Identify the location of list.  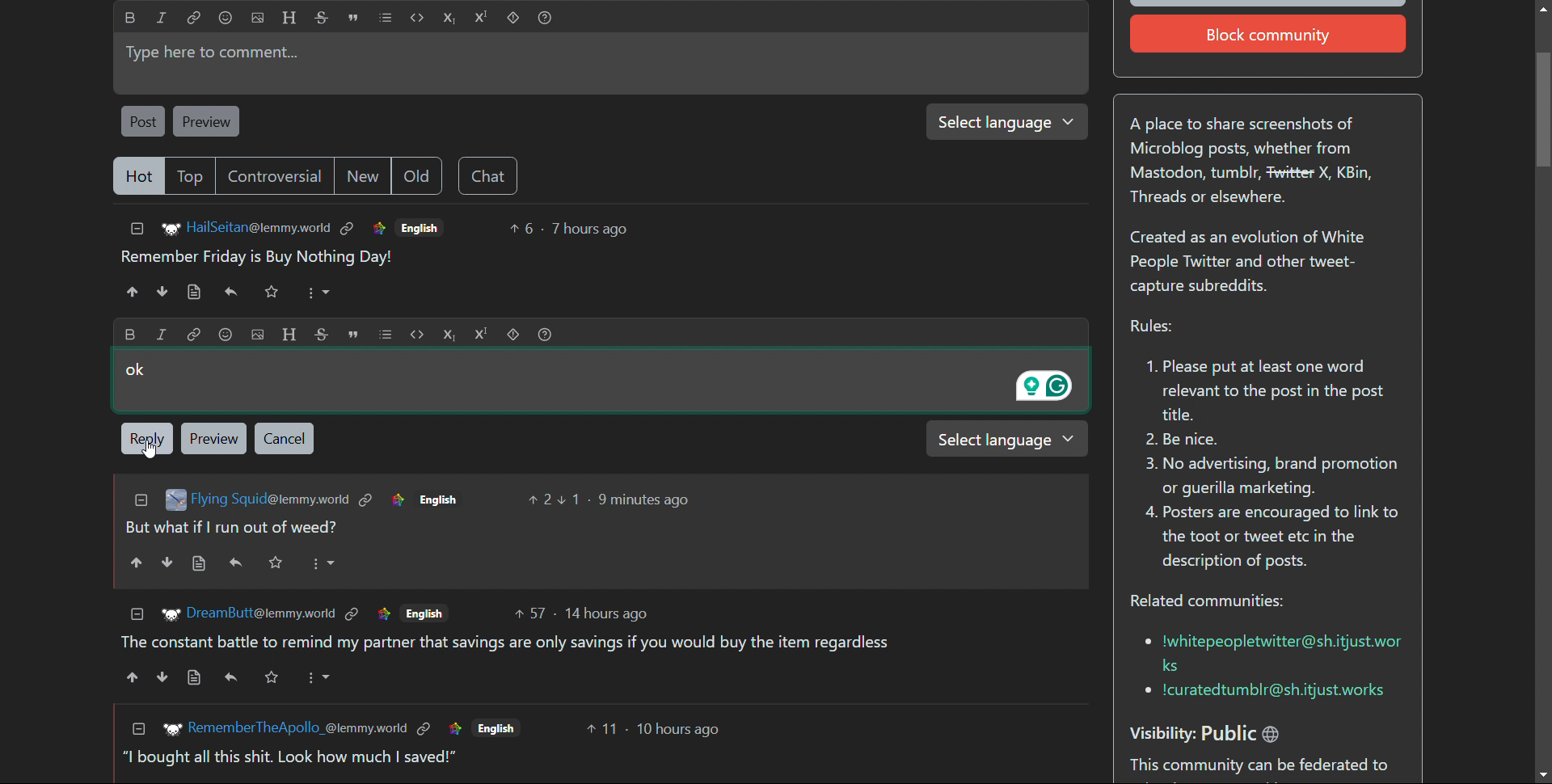
(386, 18).